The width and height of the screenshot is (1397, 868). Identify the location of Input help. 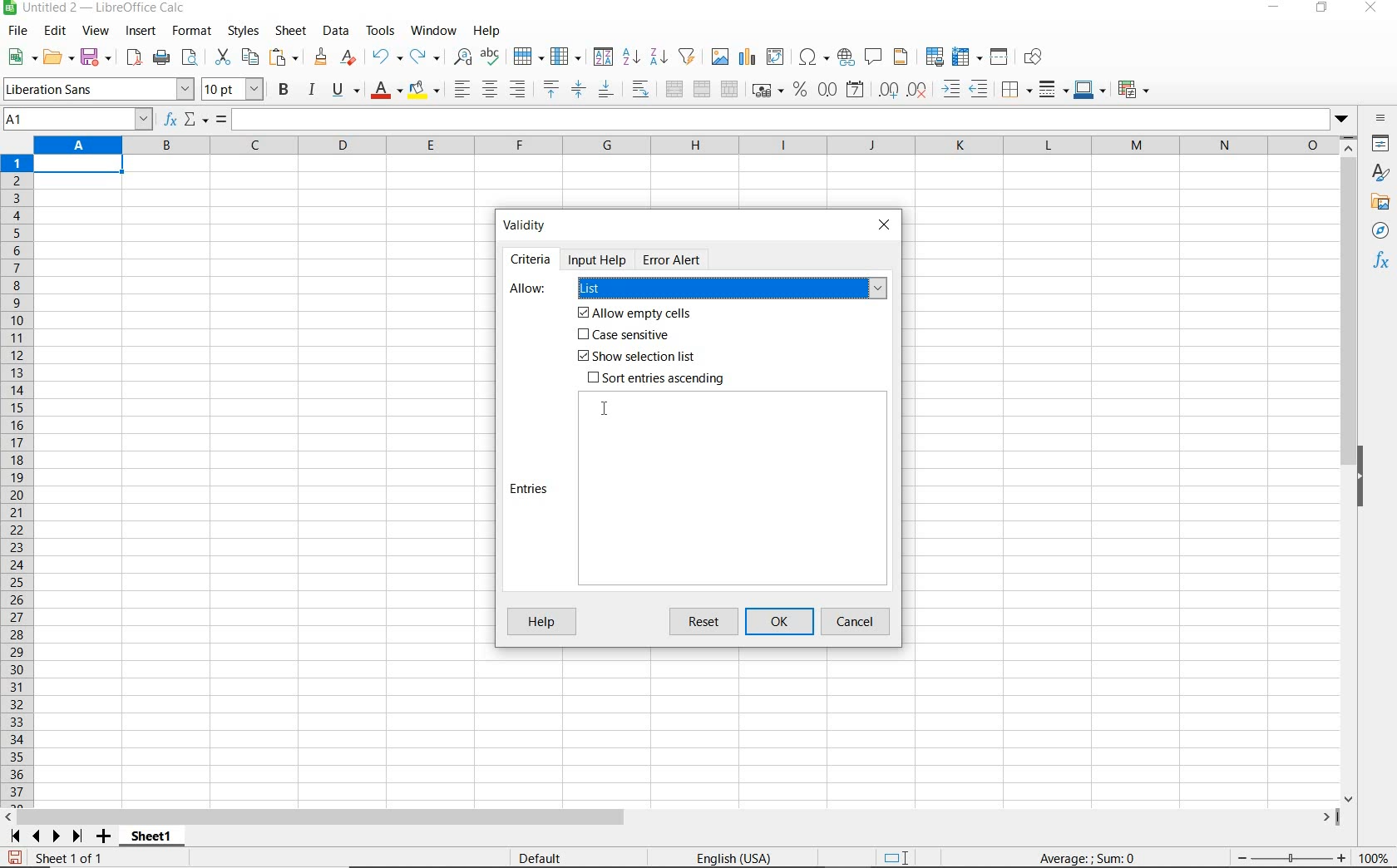
(599, 259).